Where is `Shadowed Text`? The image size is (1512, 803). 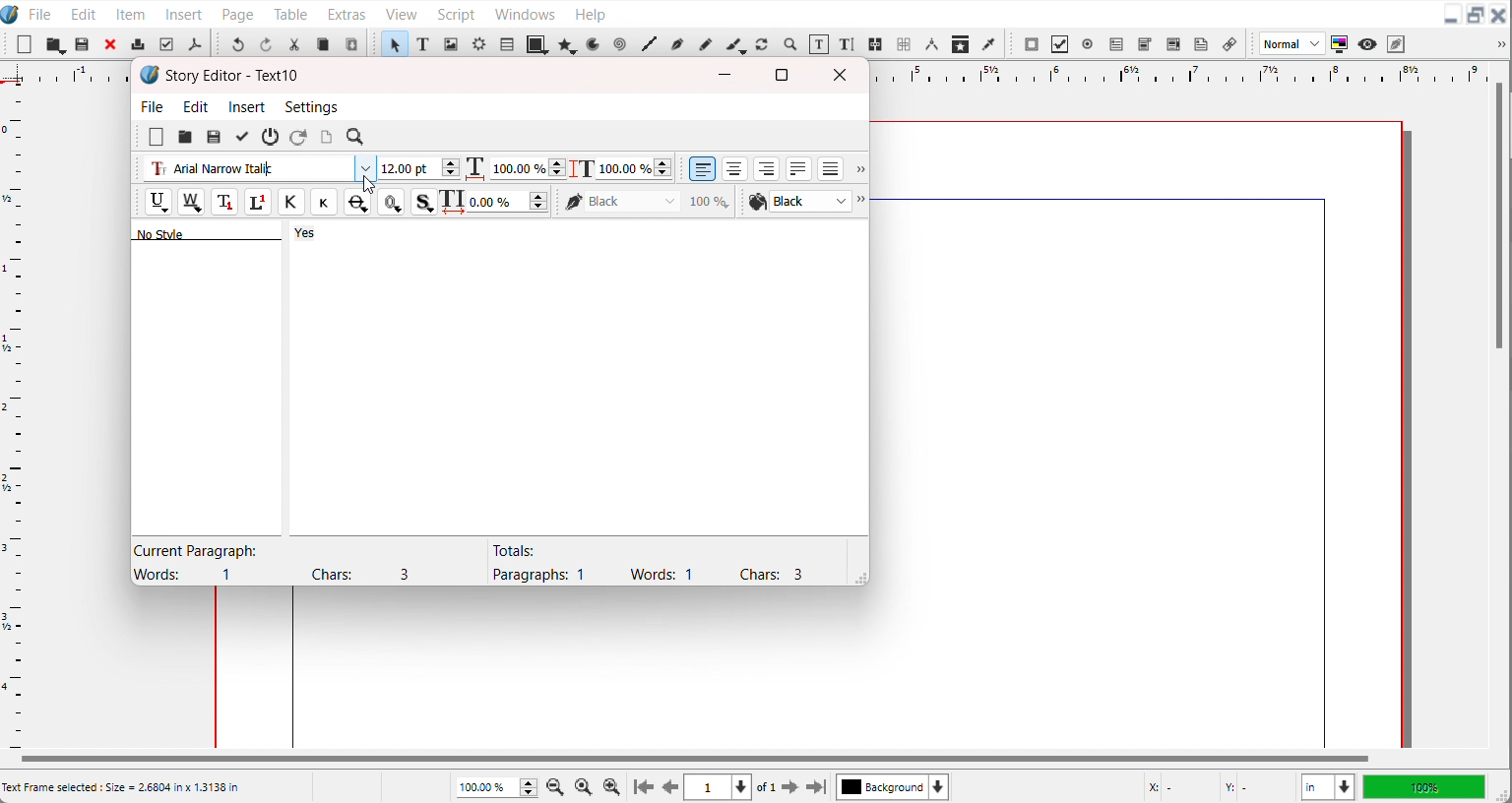 Shadowed Text is located at coordinates (424, 202).